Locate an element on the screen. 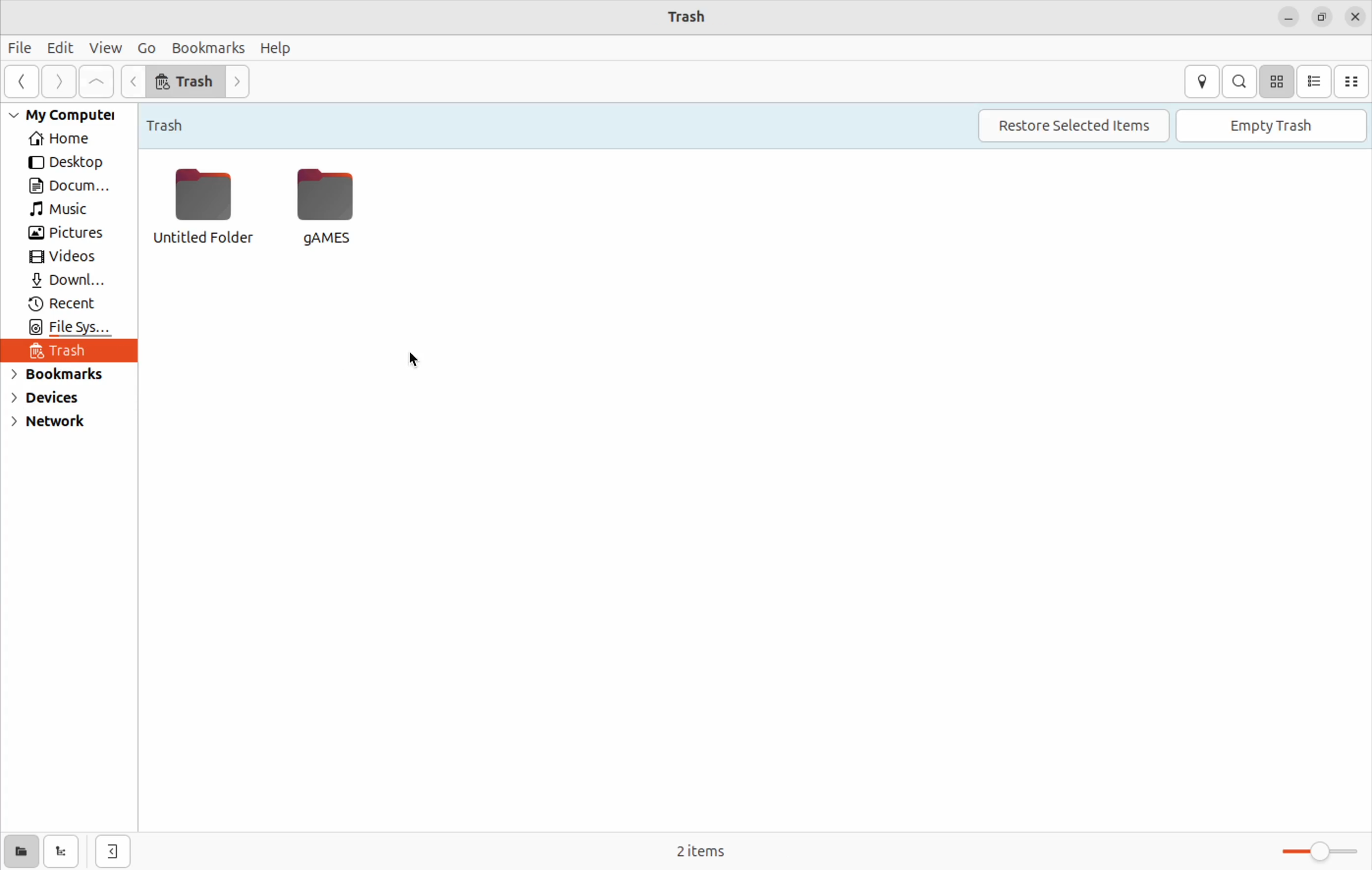 The height and width of the screenshot is (870, 1372). videos is located at coordinates (64, 258).